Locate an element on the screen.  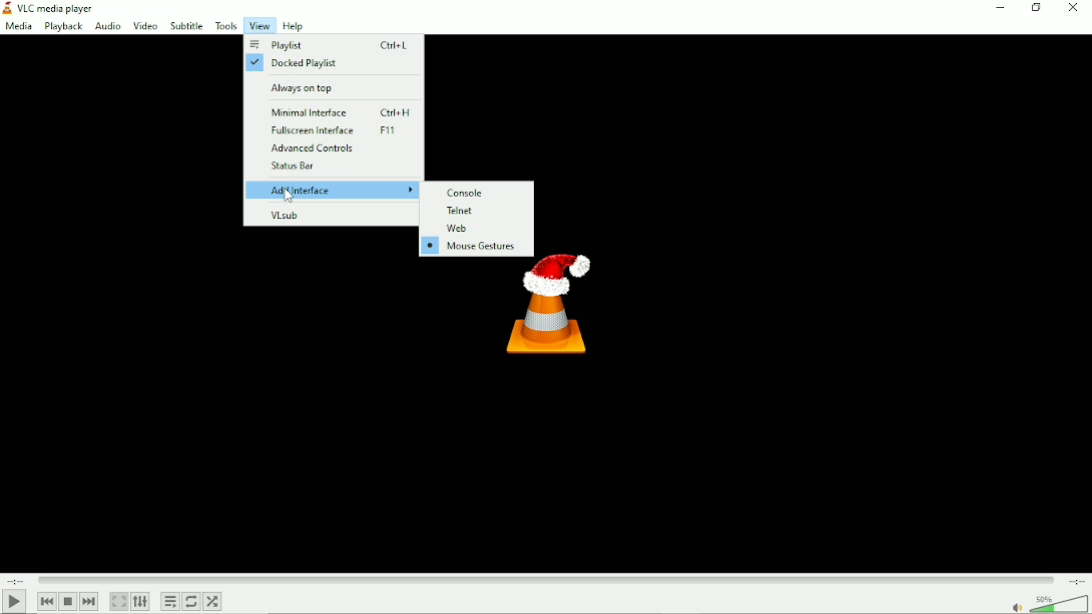
Playback is located at coordinates (63, 27).